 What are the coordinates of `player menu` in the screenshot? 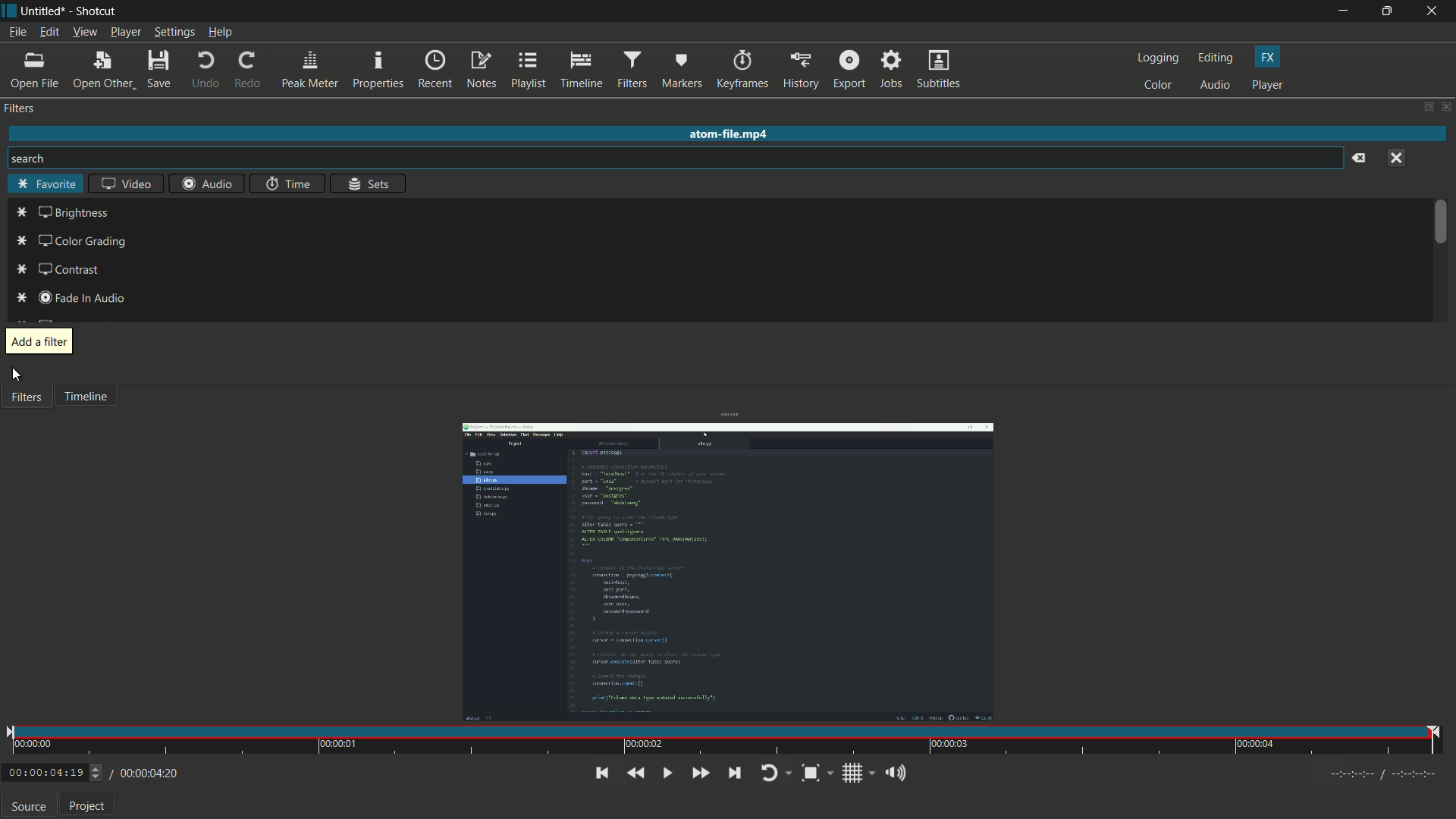 It's located at (127, 33).